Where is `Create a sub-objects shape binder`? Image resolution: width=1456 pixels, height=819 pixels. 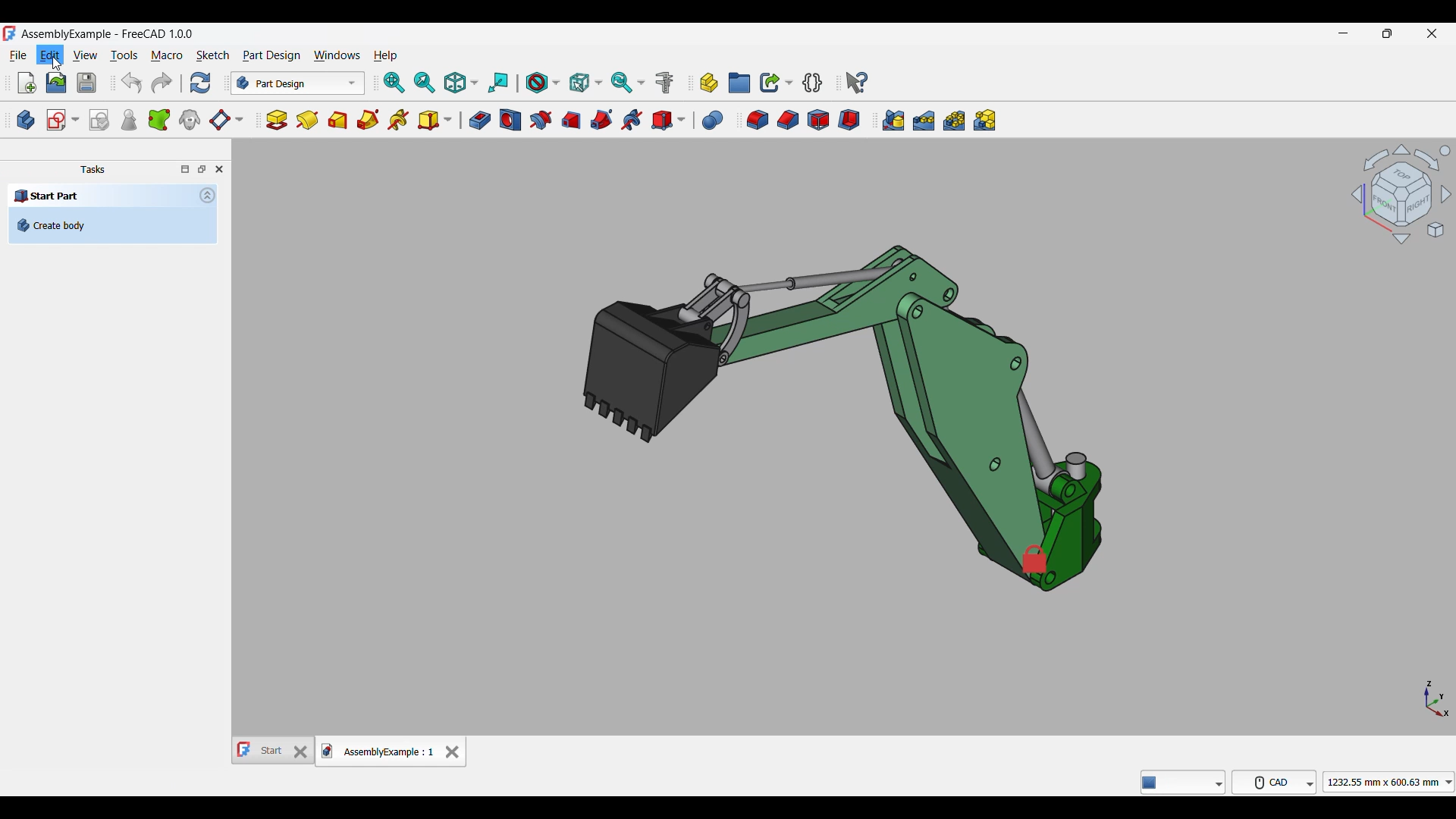 Create a sub-objects shape binder is located at coordinates (158, 120).